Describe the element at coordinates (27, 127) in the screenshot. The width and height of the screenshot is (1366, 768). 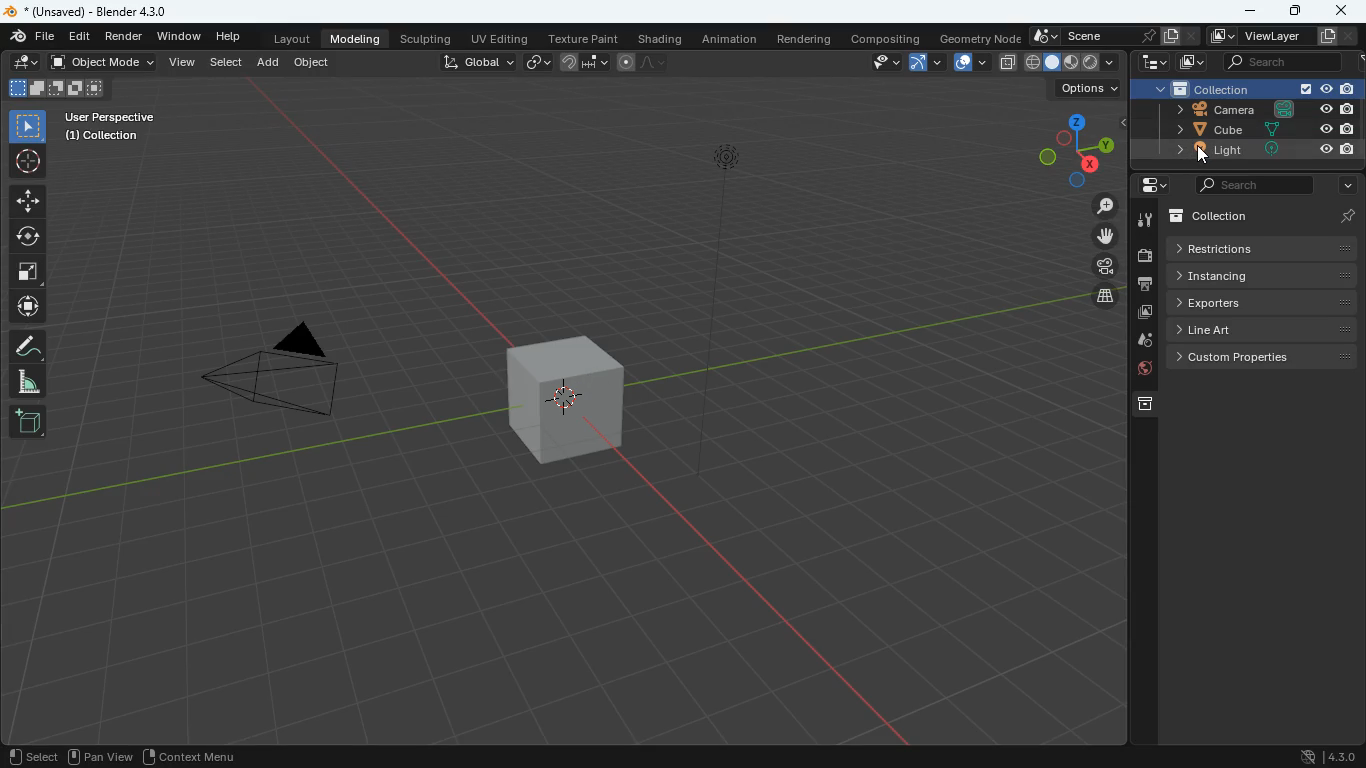
I see `select` at that location.